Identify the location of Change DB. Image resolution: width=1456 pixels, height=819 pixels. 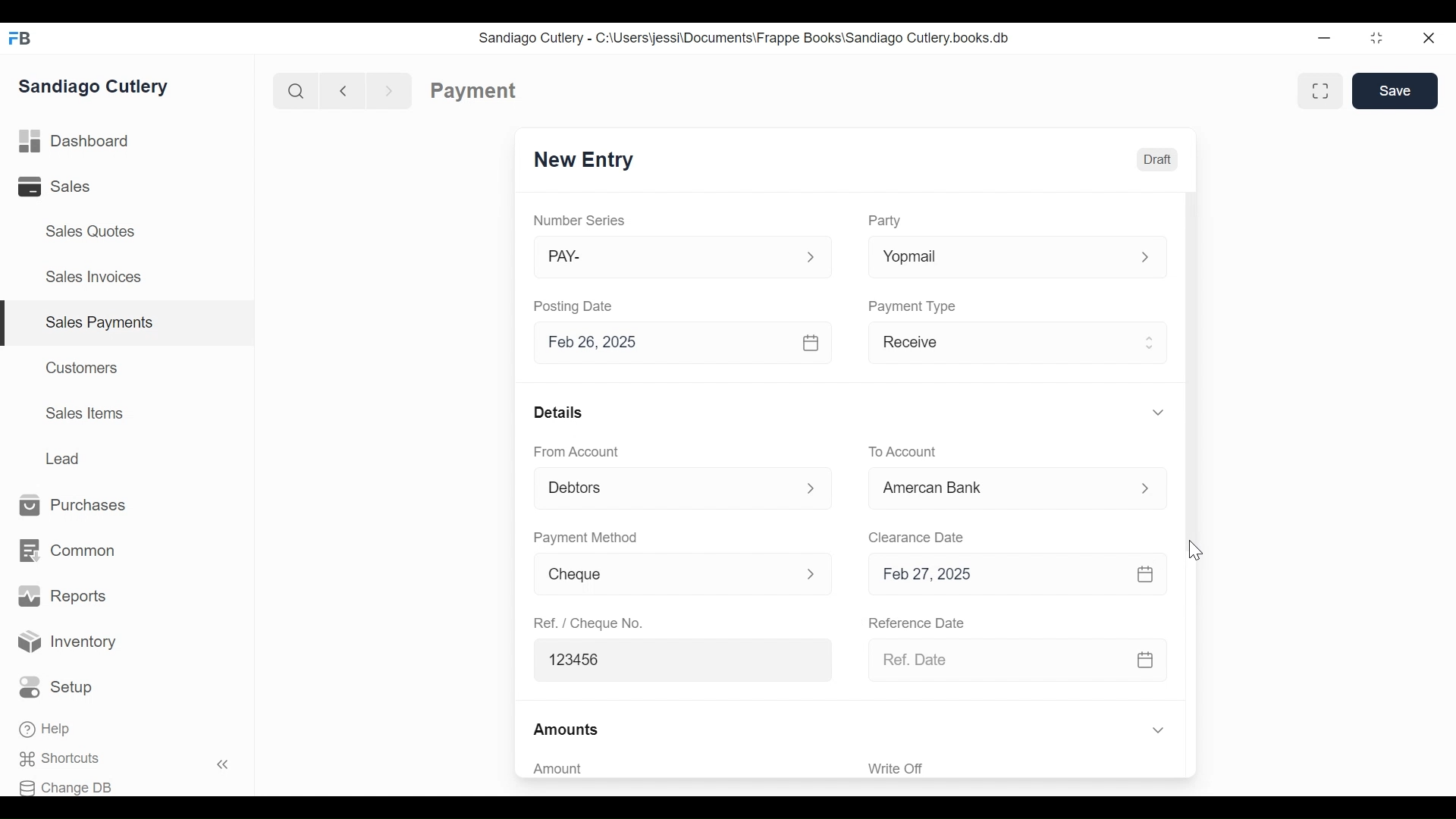
(71, 786).